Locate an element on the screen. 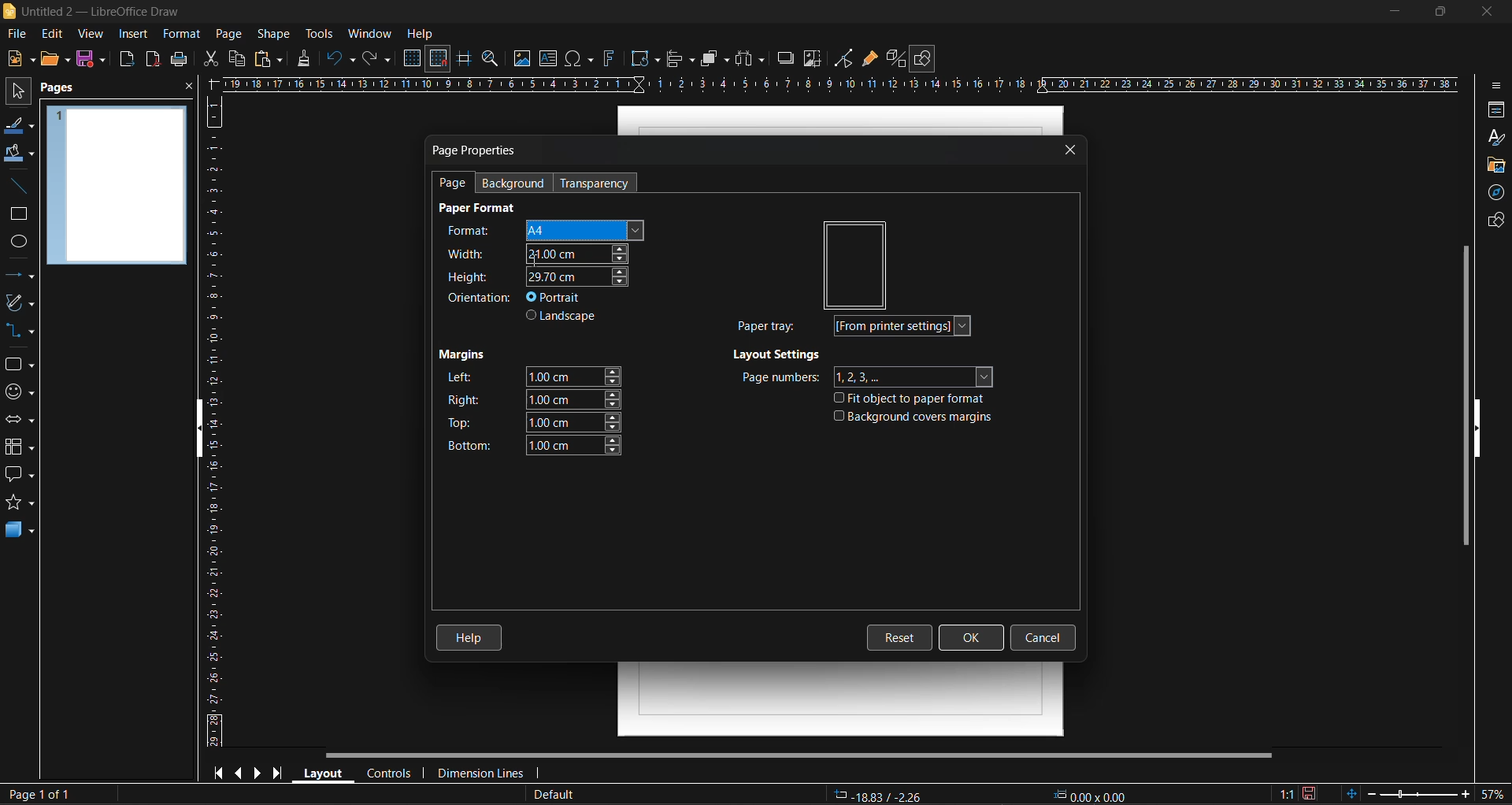  edit is located at coordinates (53, 33).